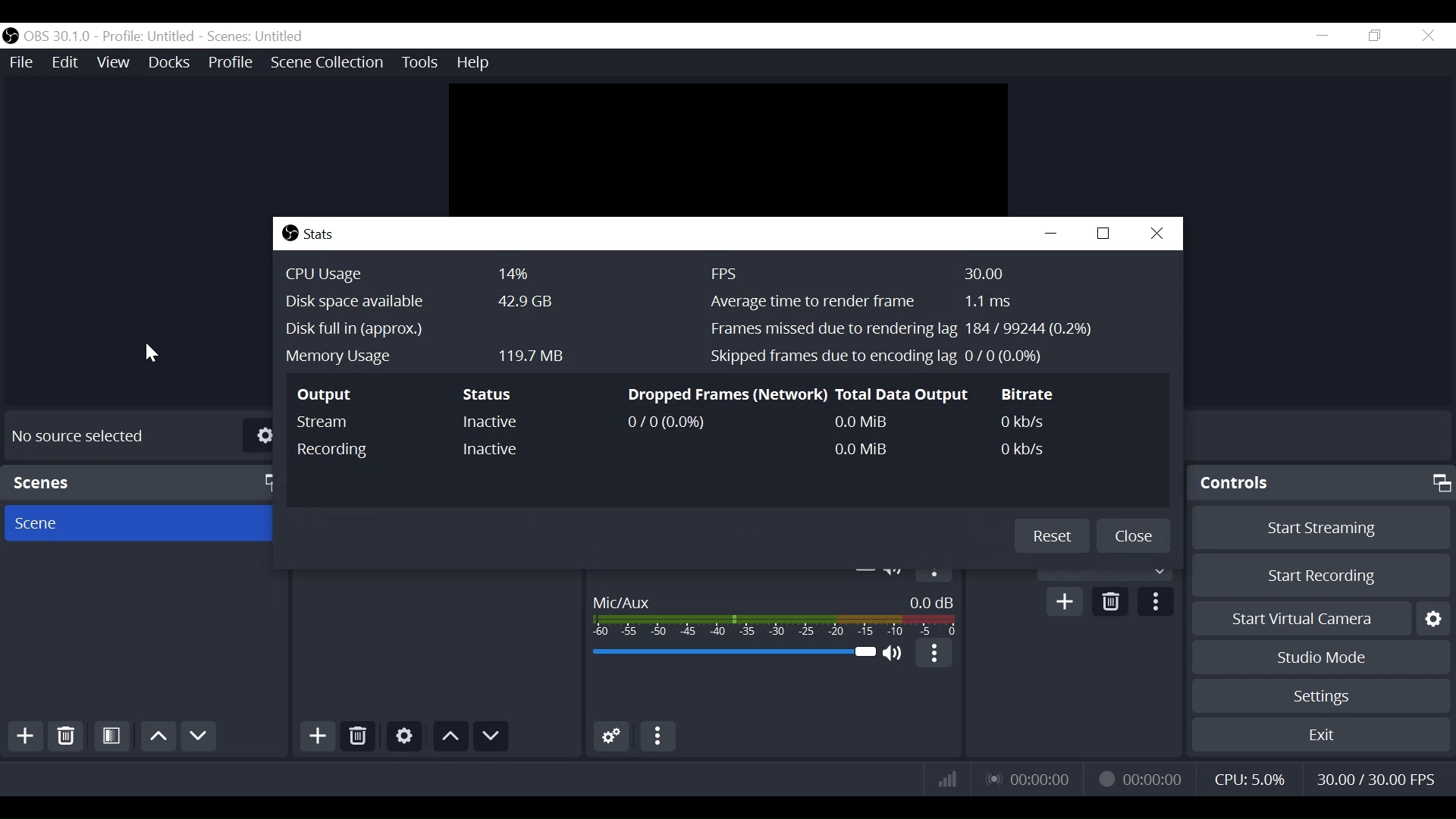  What do you see at coordinates (947, 778) in the screenshot?
I see `Bitrate` at bounding box center [947, 778].